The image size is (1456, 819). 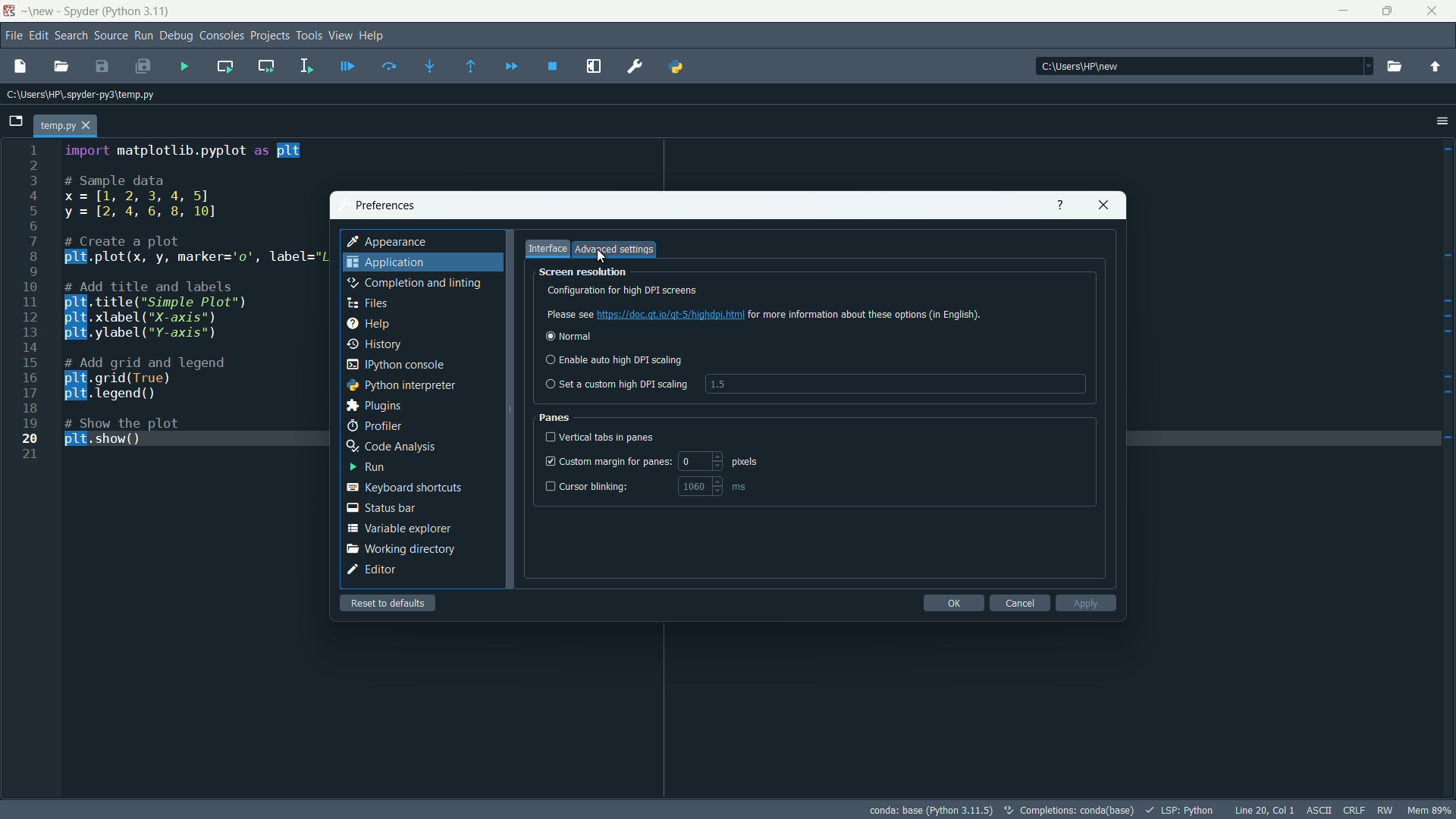 I want to click on variable explorer, so click(x=398, y=529).